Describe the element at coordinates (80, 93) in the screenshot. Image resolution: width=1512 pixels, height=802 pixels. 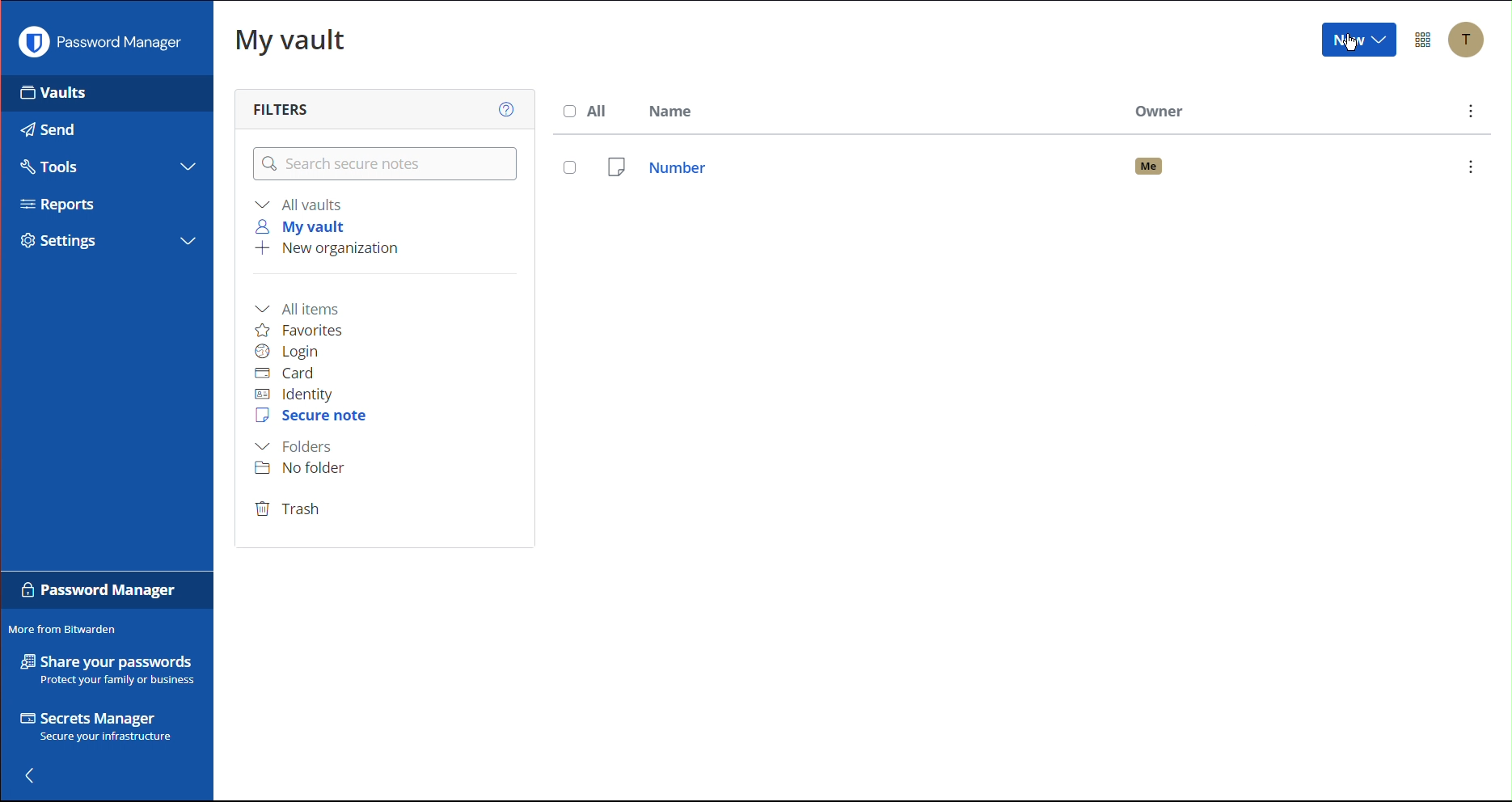
I see `Vaults` at that location.